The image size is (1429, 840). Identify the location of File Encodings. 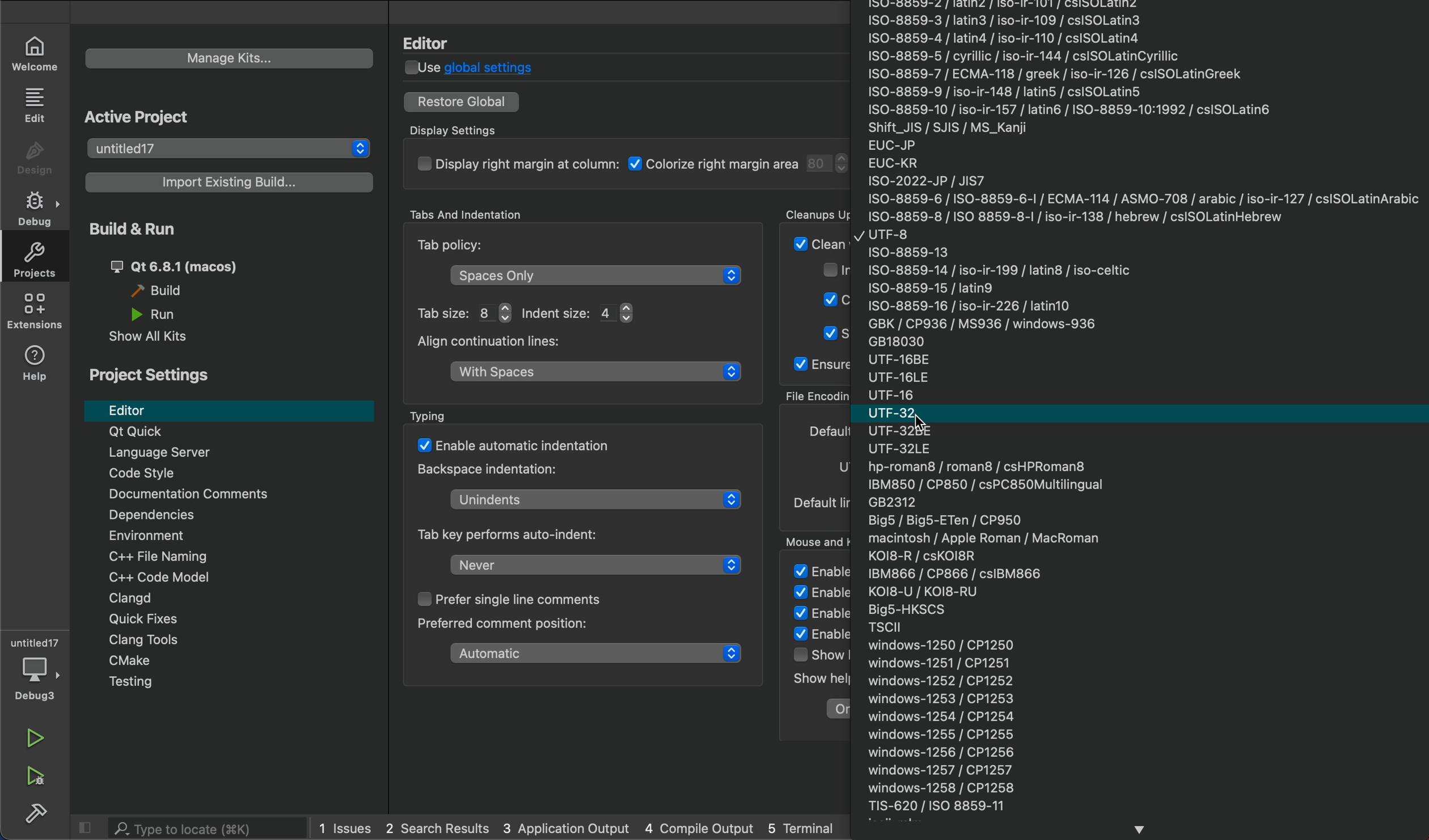
(817, 396).